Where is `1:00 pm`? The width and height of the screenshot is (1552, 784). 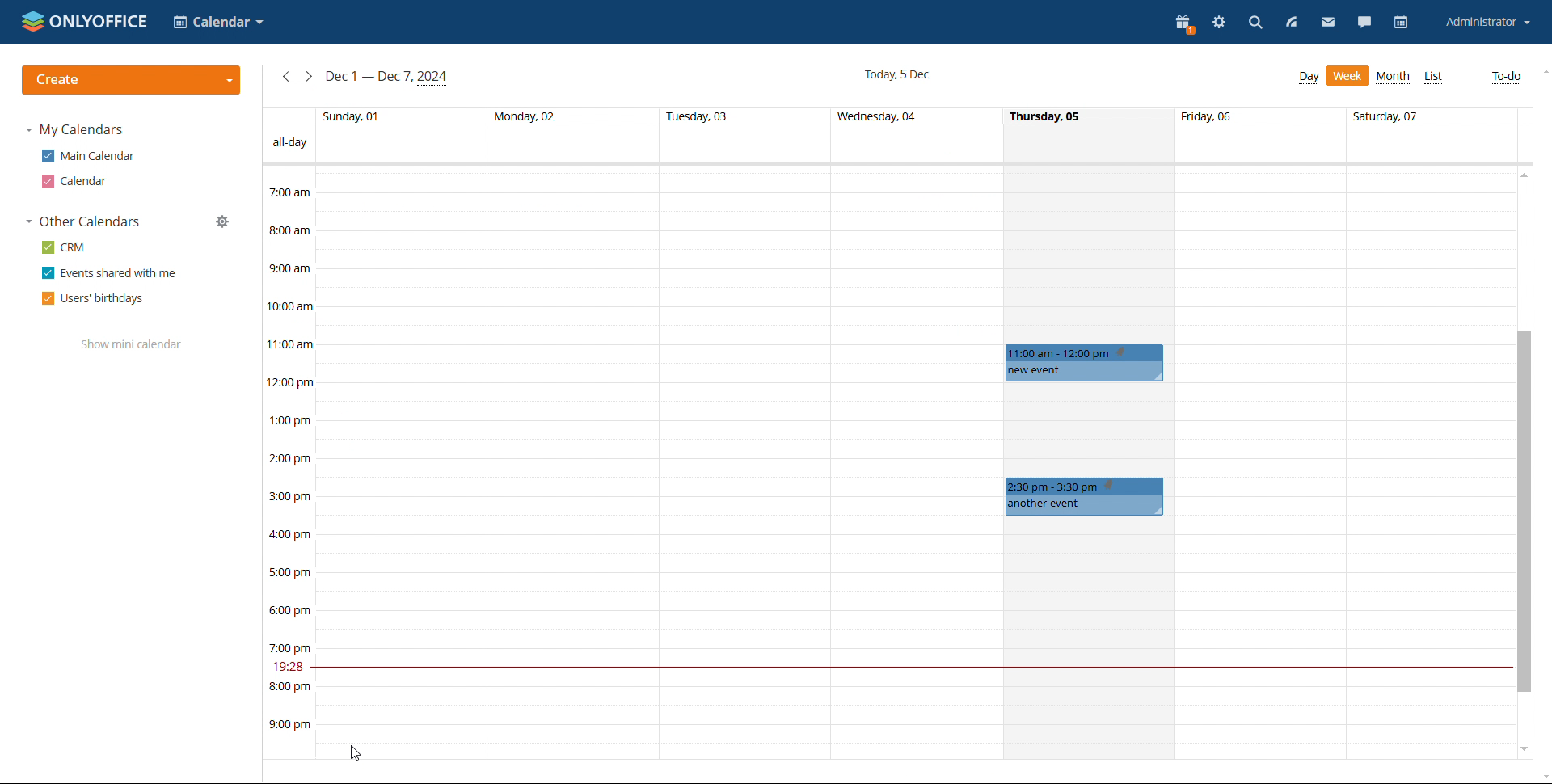
1:00 pm is located at coordinates (289, 421).